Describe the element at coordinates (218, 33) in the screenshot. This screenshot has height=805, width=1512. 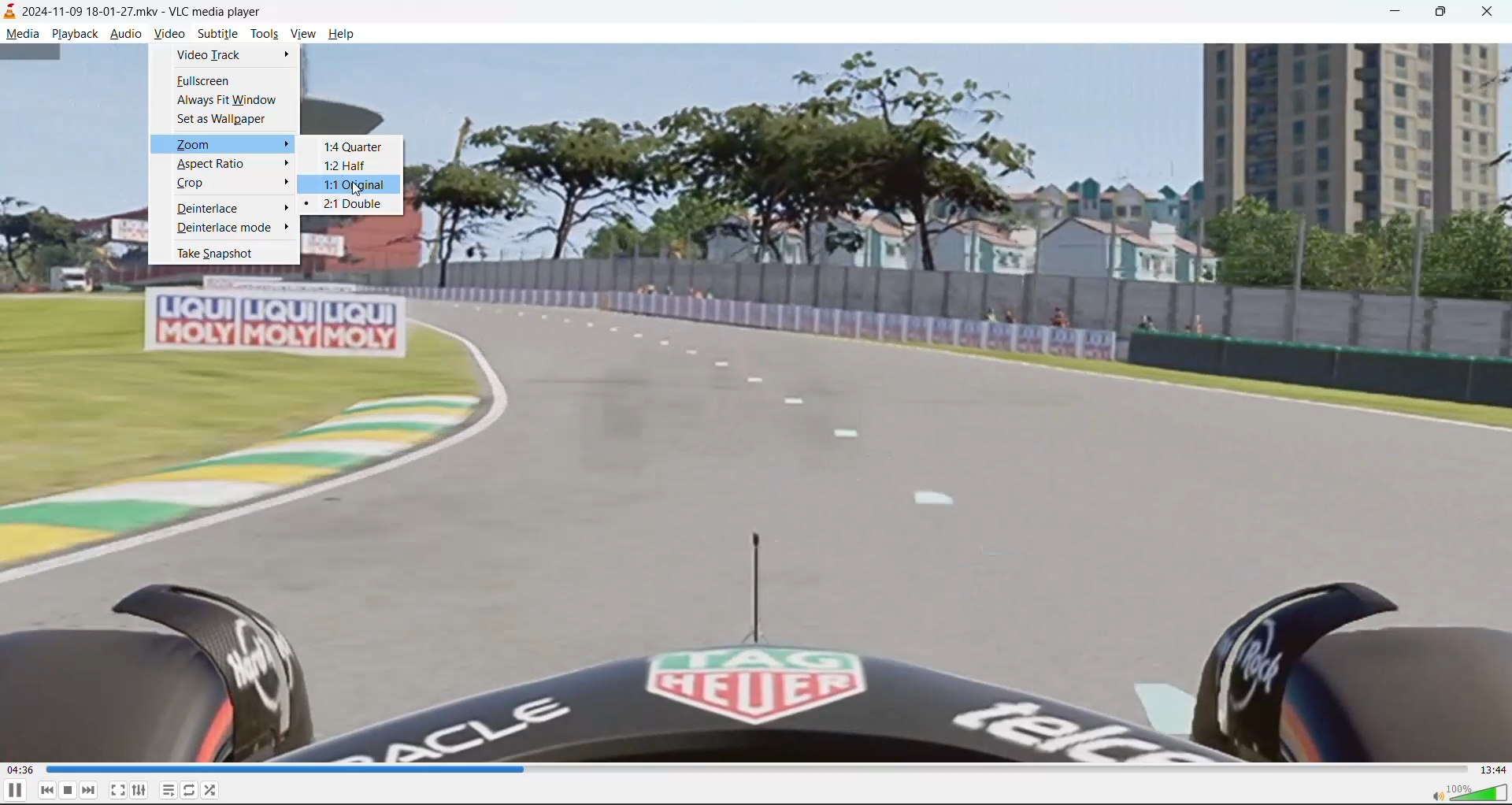
I see `subtitle` at that location.